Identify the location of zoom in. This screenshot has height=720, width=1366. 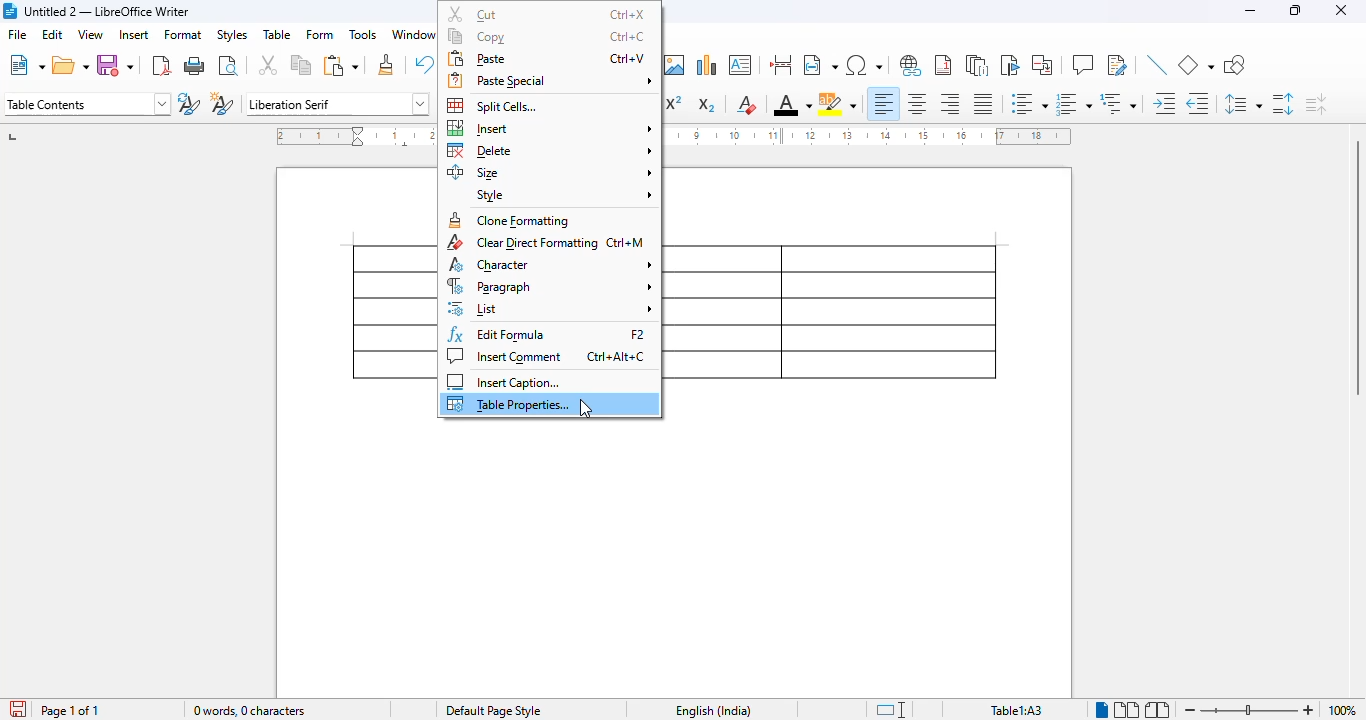
(1309, 710).